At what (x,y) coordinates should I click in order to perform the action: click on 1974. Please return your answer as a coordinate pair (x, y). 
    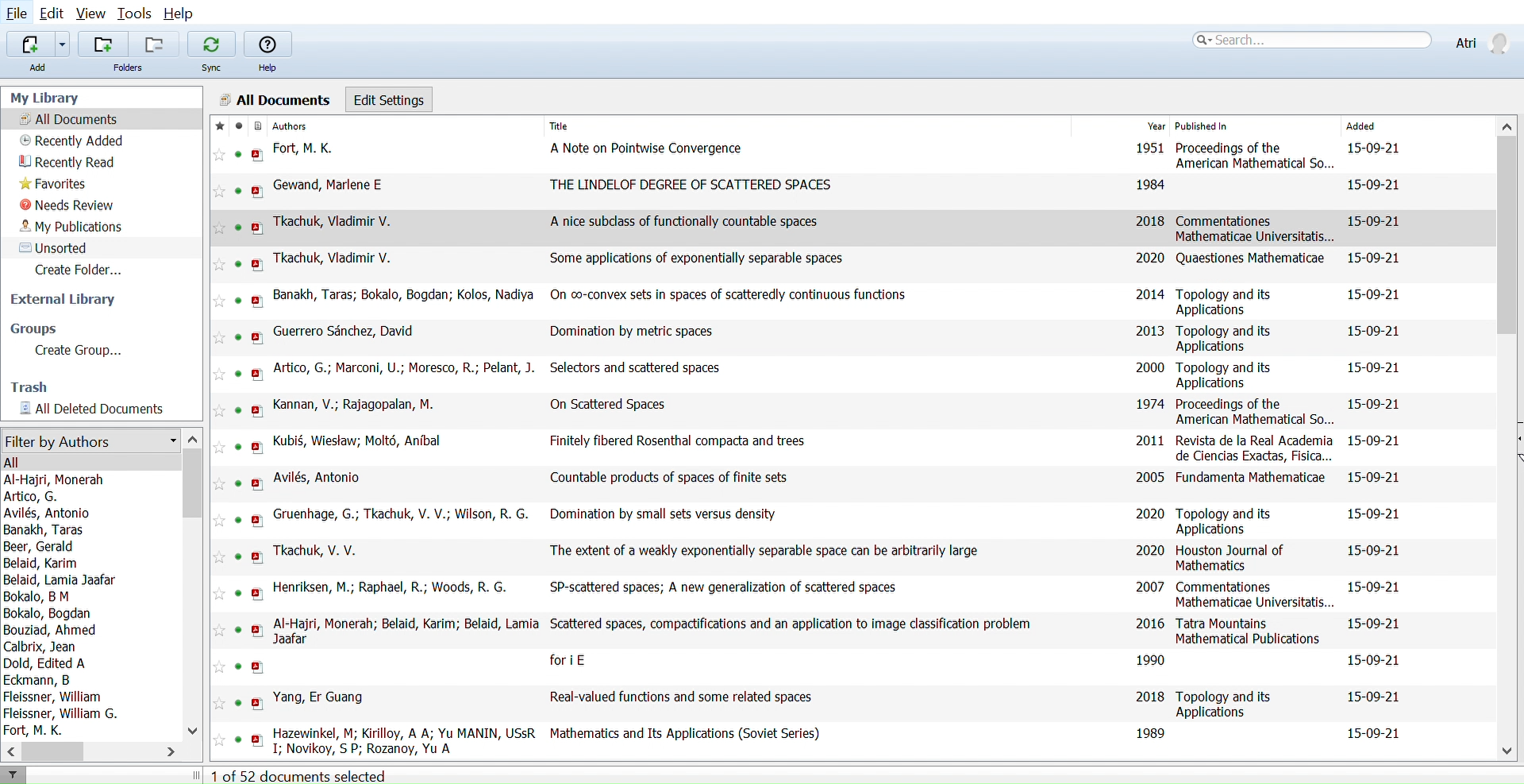
    Looking at the image, I should click on (1151, 404).